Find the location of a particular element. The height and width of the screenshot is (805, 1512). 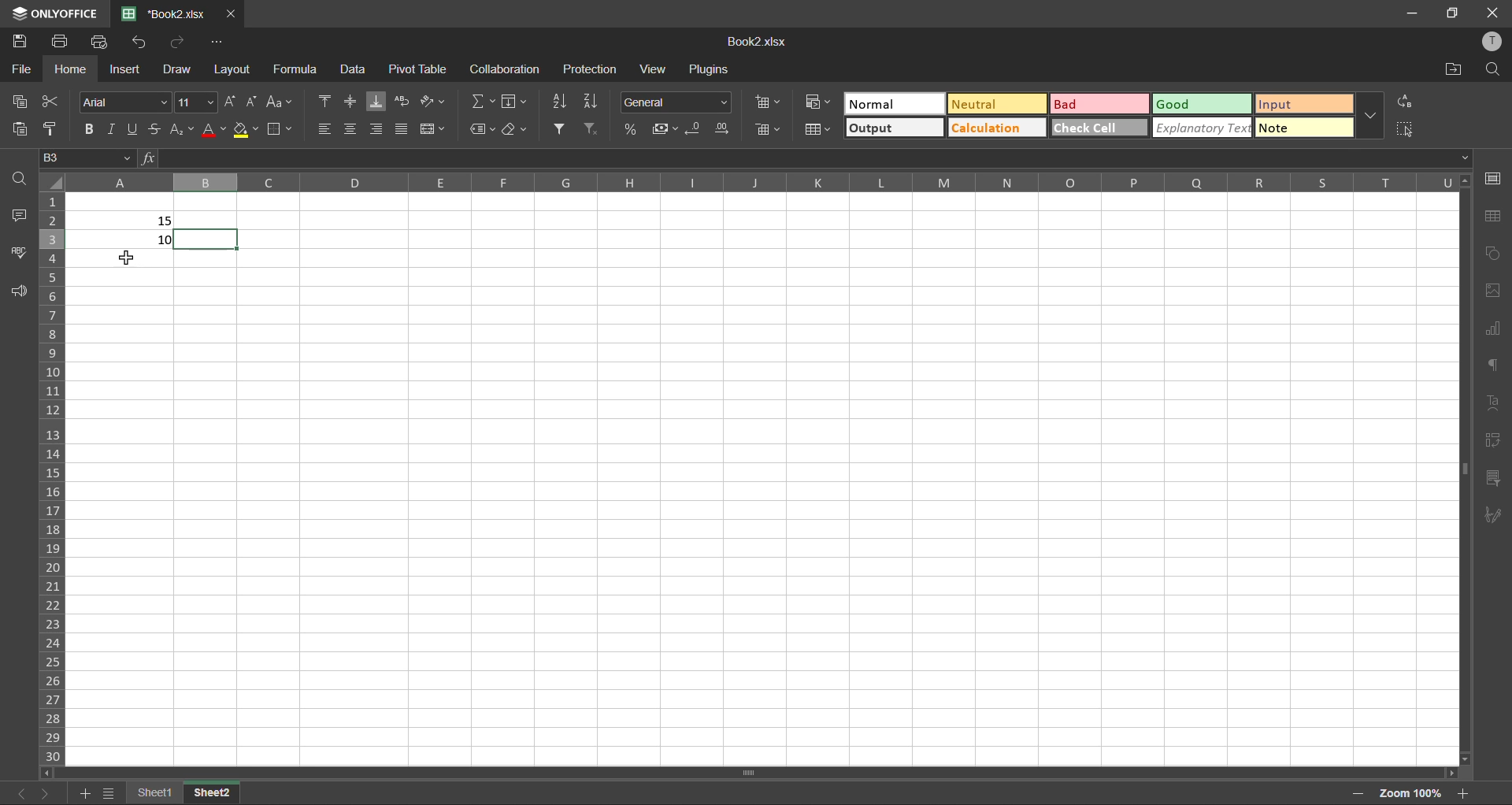

plugins is located at coordinates (711, 69).